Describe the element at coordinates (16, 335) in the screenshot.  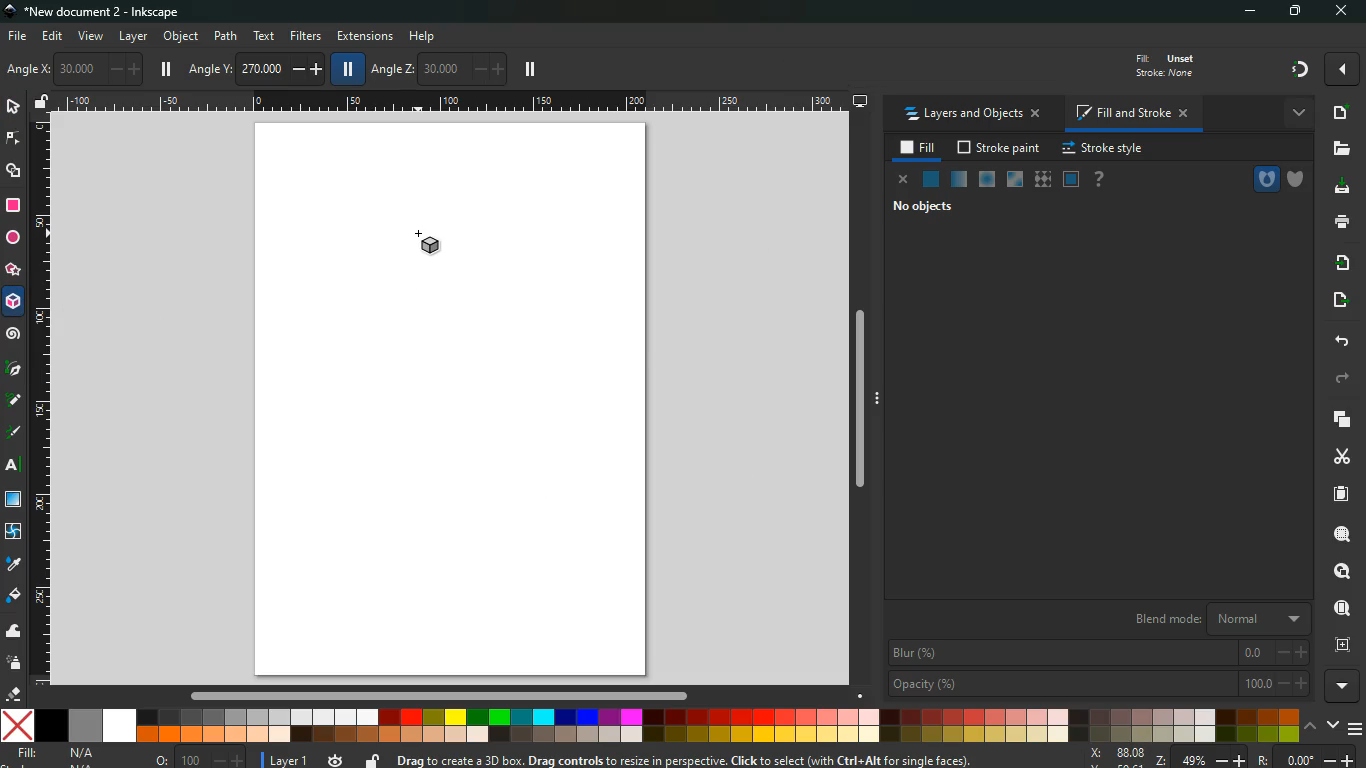
I see `Spiral` at that location.